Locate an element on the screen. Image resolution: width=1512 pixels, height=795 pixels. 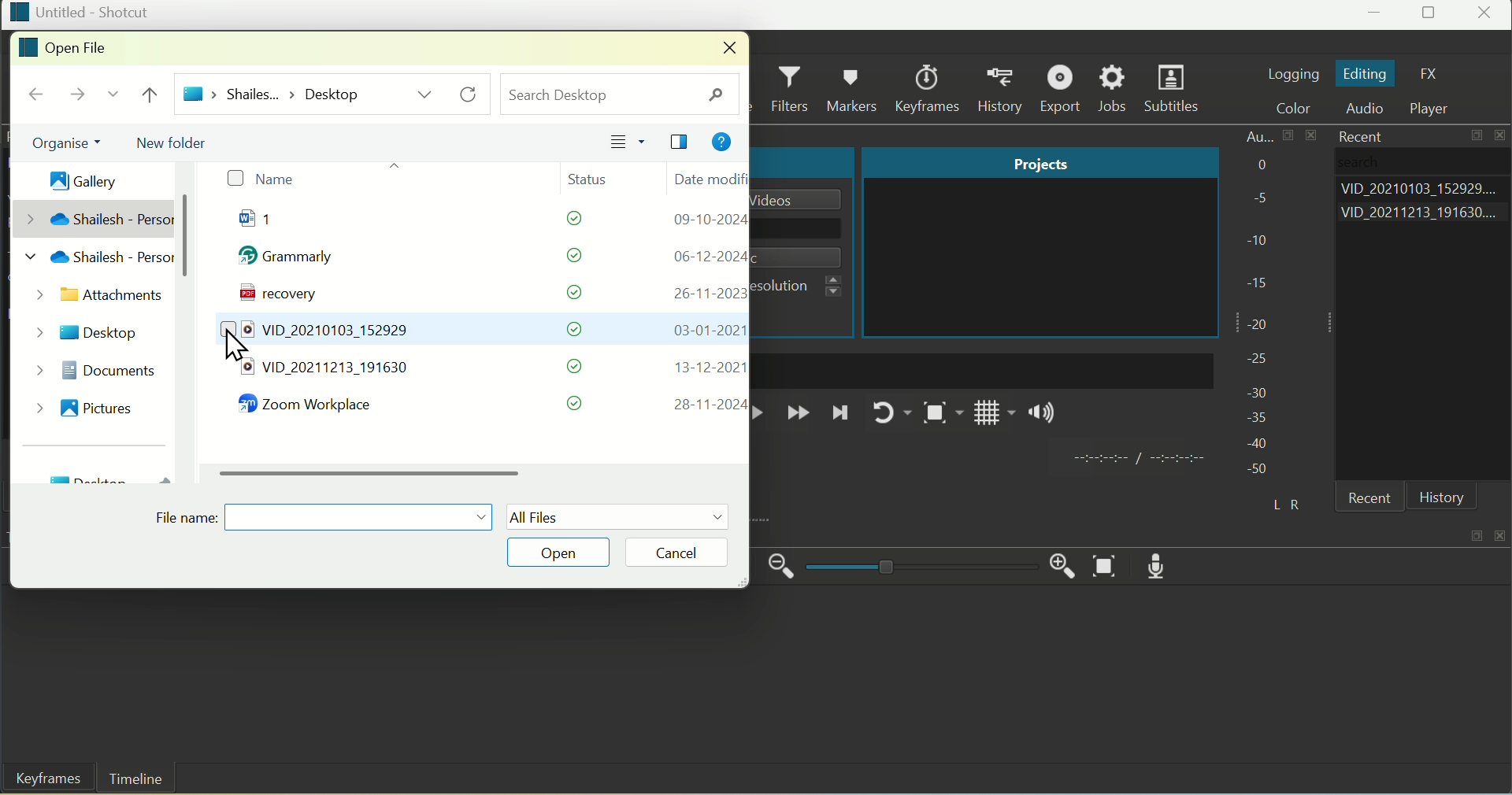
status is located at coordinates (565, 221).